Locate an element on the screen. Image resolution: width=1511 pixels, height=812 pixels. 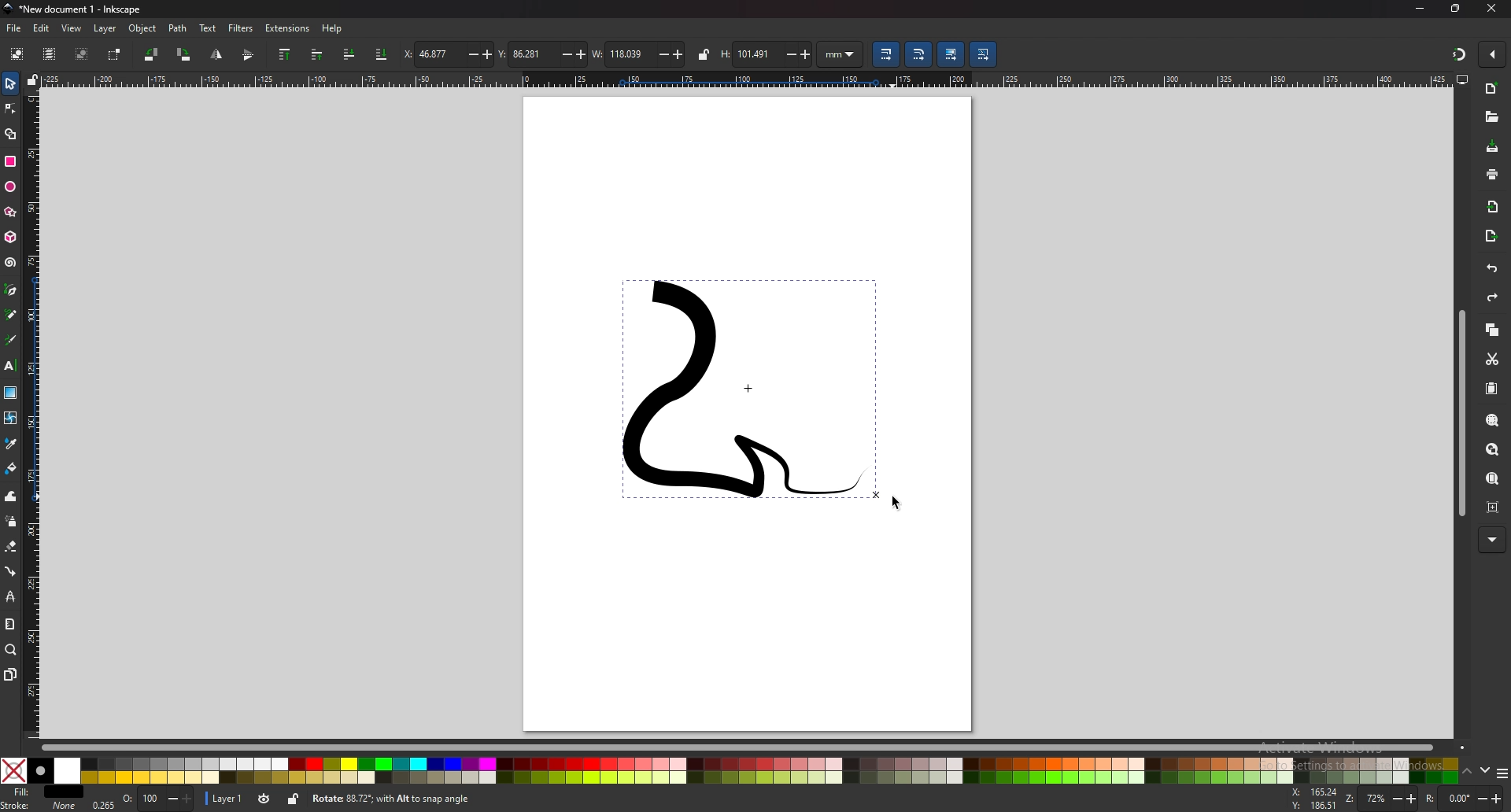
unit is located at coordinates (840, 55).